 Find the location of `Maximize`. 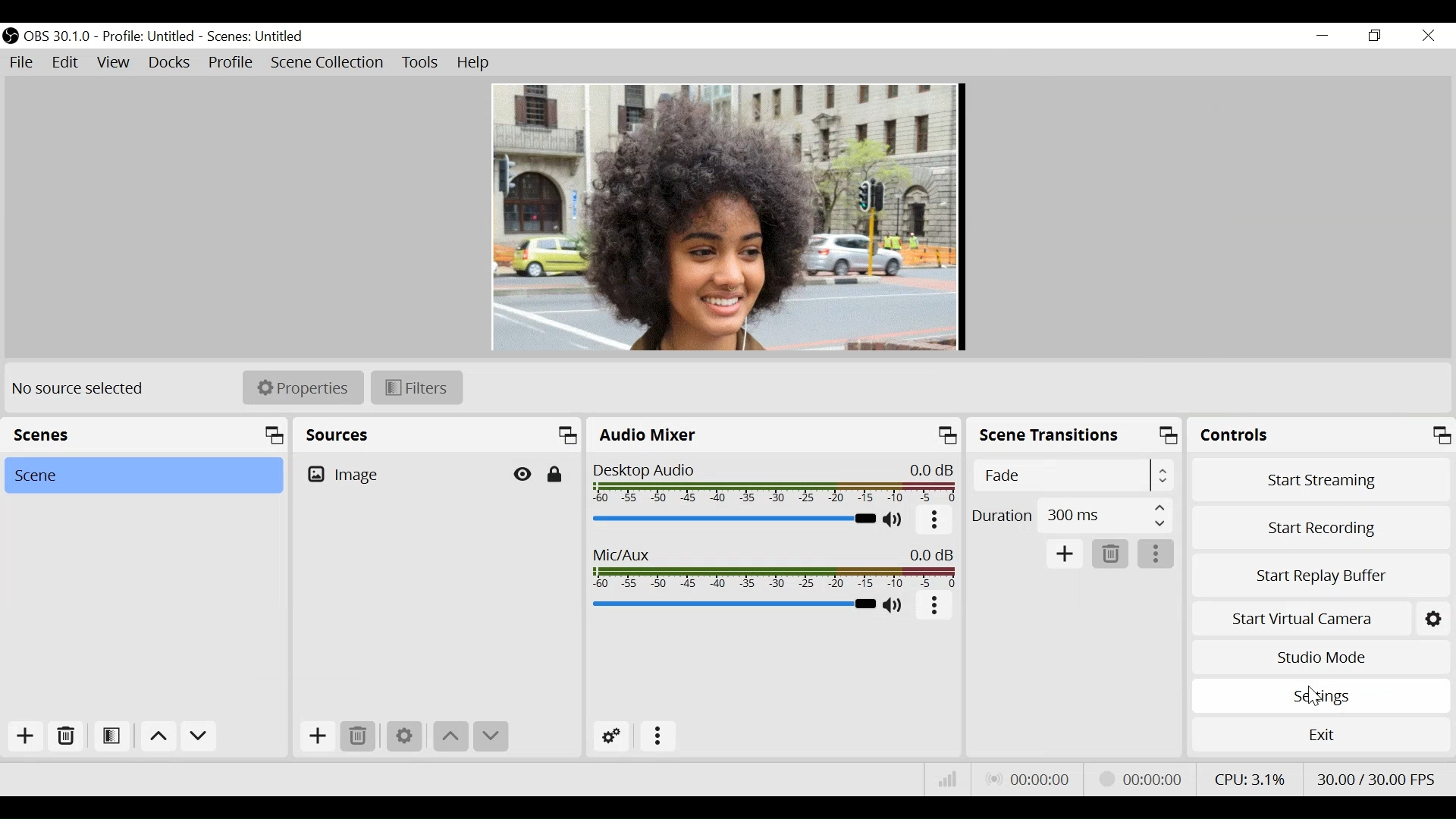

Maximize is located at coordinates (943, 433).